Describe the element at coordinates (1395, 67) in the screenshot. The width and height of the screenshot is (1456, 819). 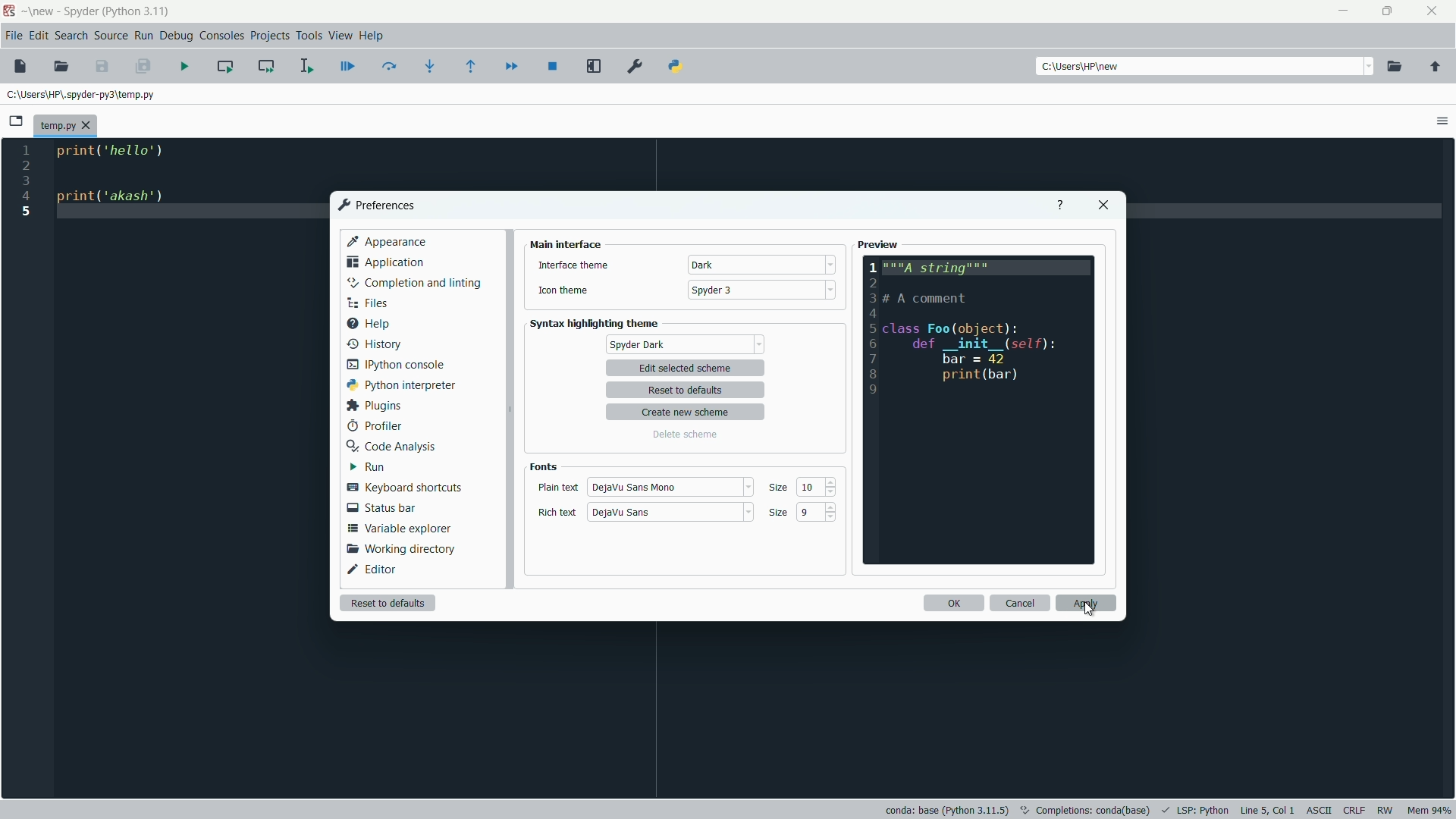
I see `browse directory` at that location.